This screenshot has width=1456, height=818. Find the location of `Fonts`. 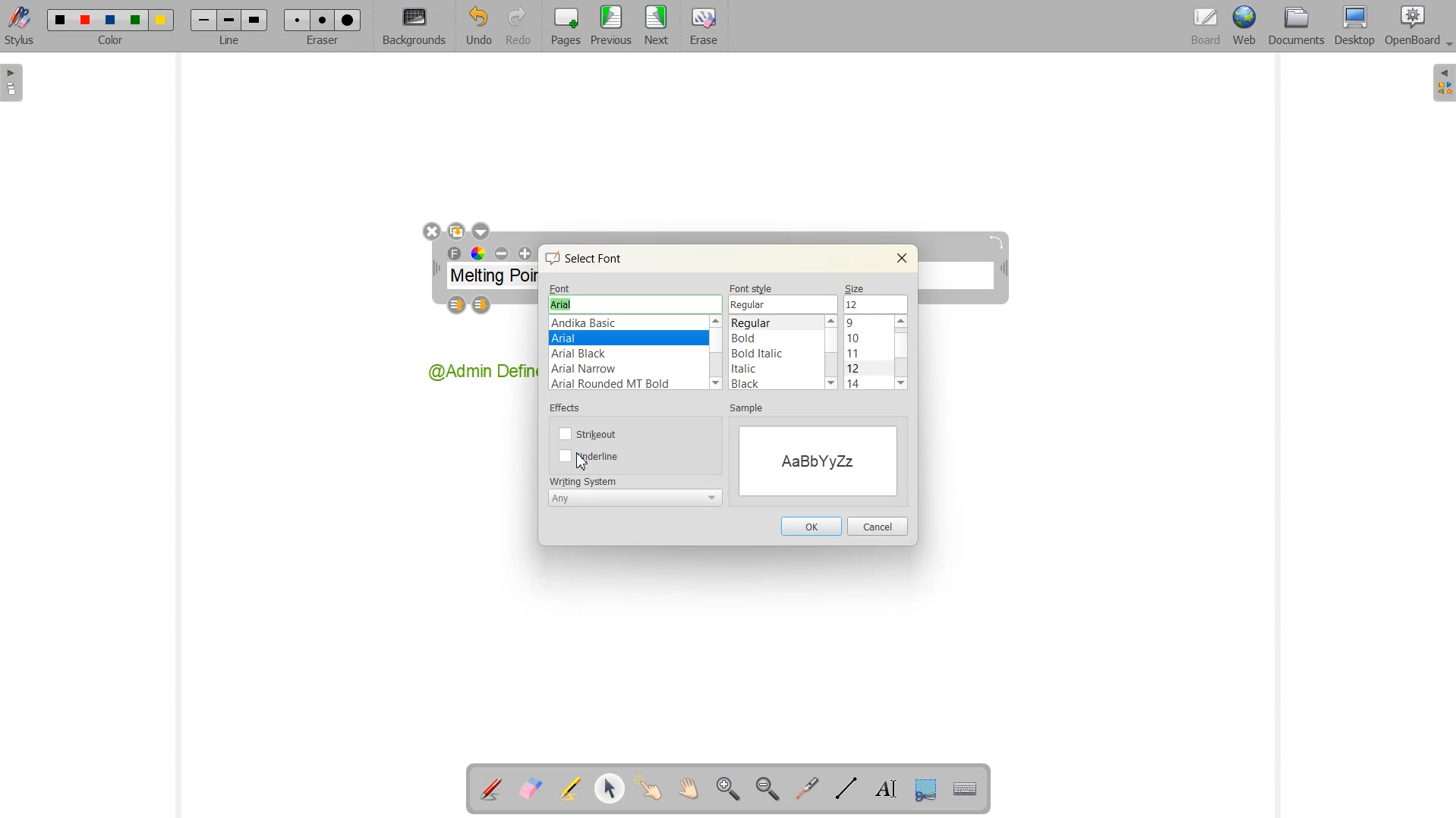

Fonts is located at coordinates (628, 354).